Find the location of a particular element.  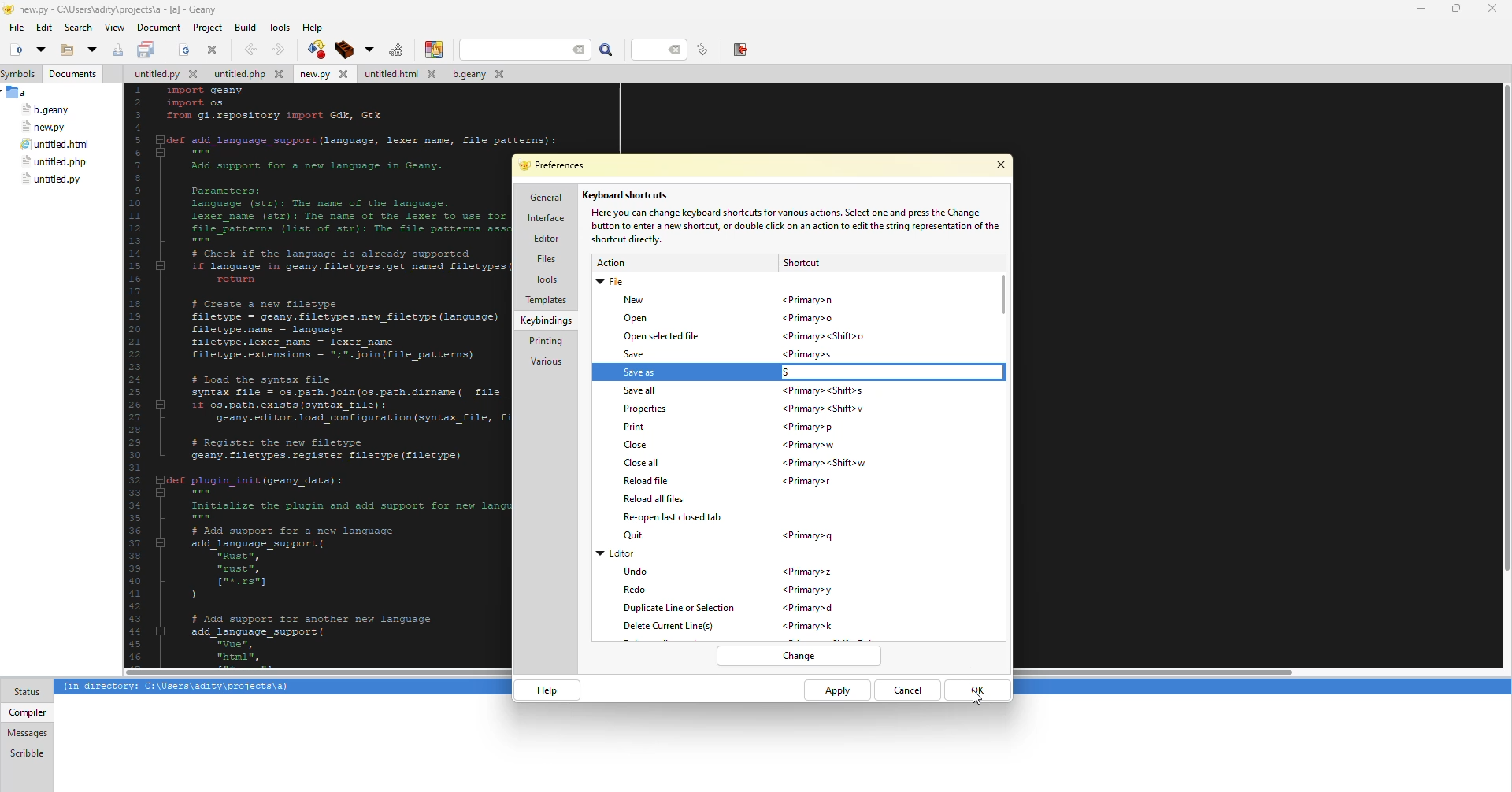

build is located at coordinates (342, 50).